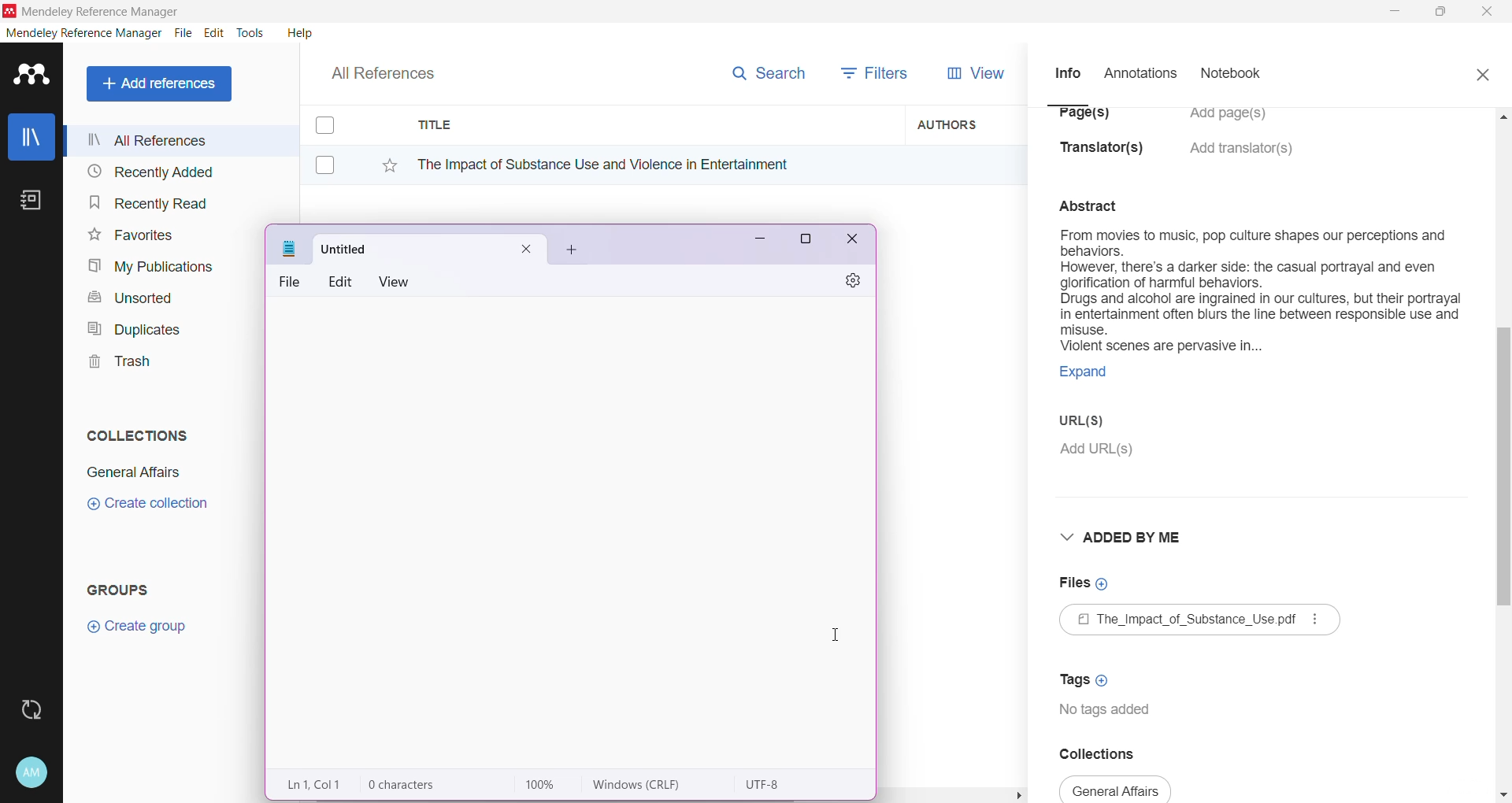 The image size is (1512, 803). Describe the element at coordinates (920, 762) in the screenshot. I see `grammarly logo` at that location.